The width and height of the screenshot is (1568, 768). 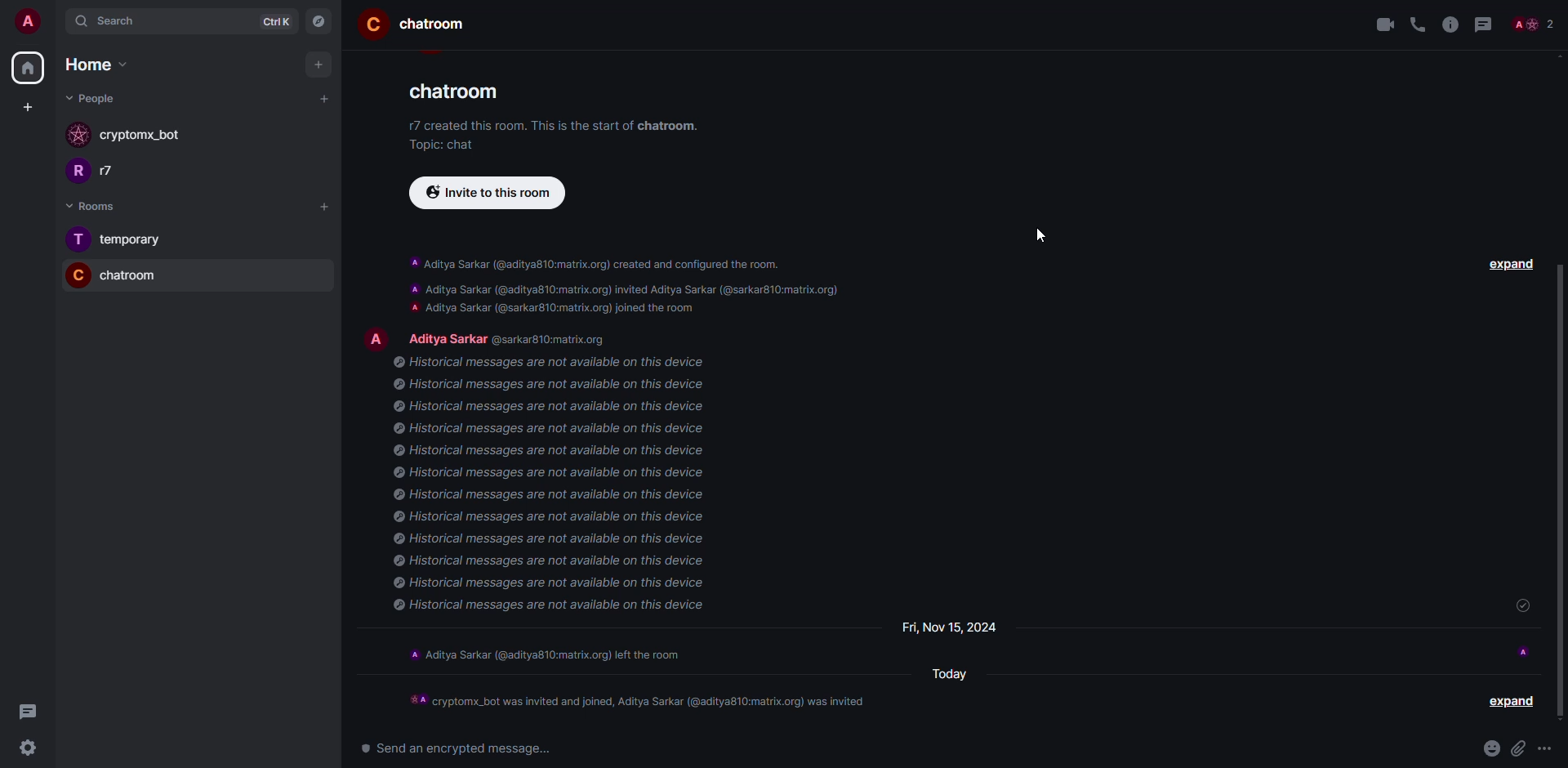 What do you see at coordinates (118, 171) in the screenshot?
I see `people` at bounding box center [118, 171].